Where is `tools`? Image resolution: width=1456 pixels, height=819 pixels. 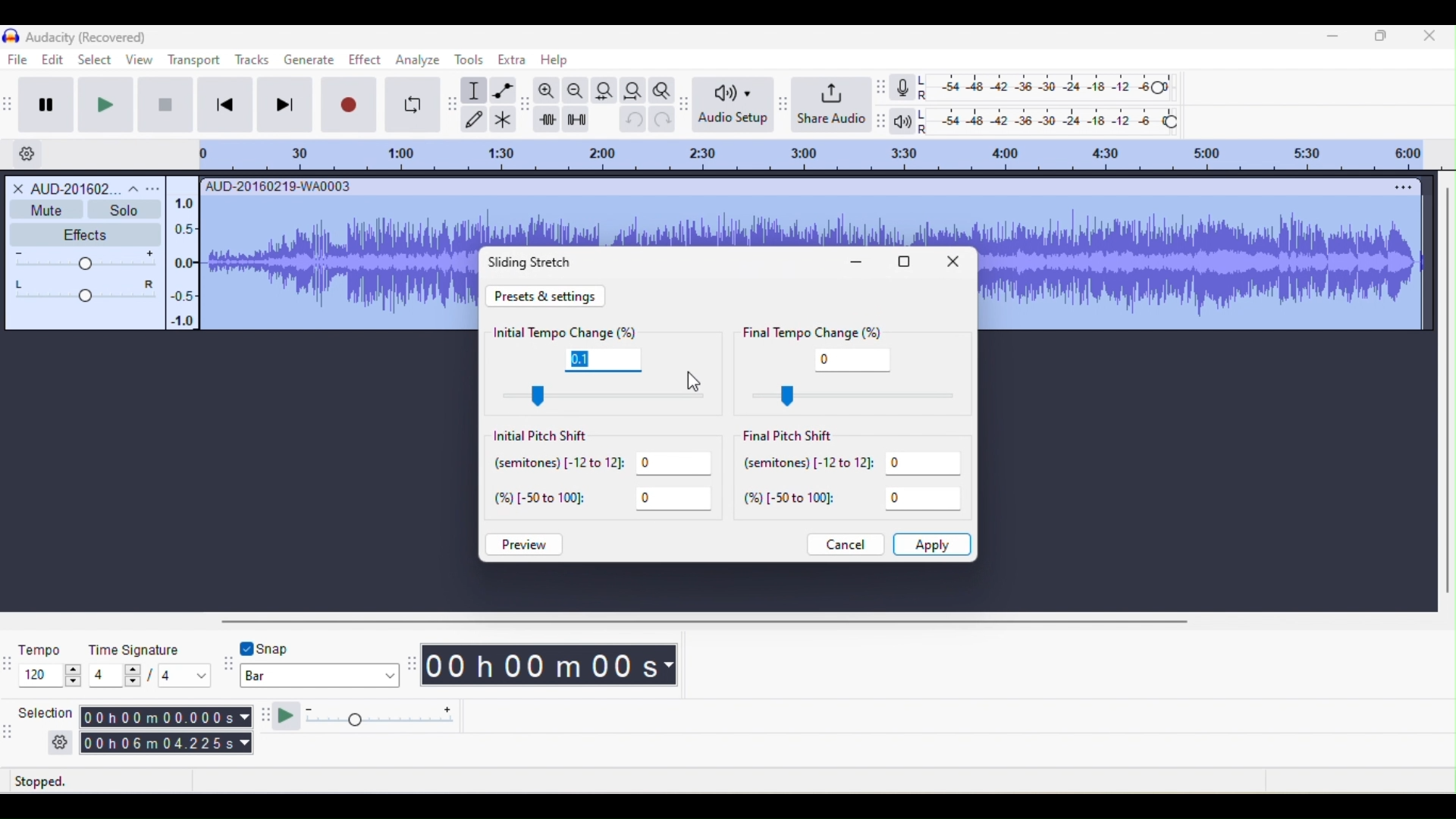
tools is located at coordinates (474, 61).